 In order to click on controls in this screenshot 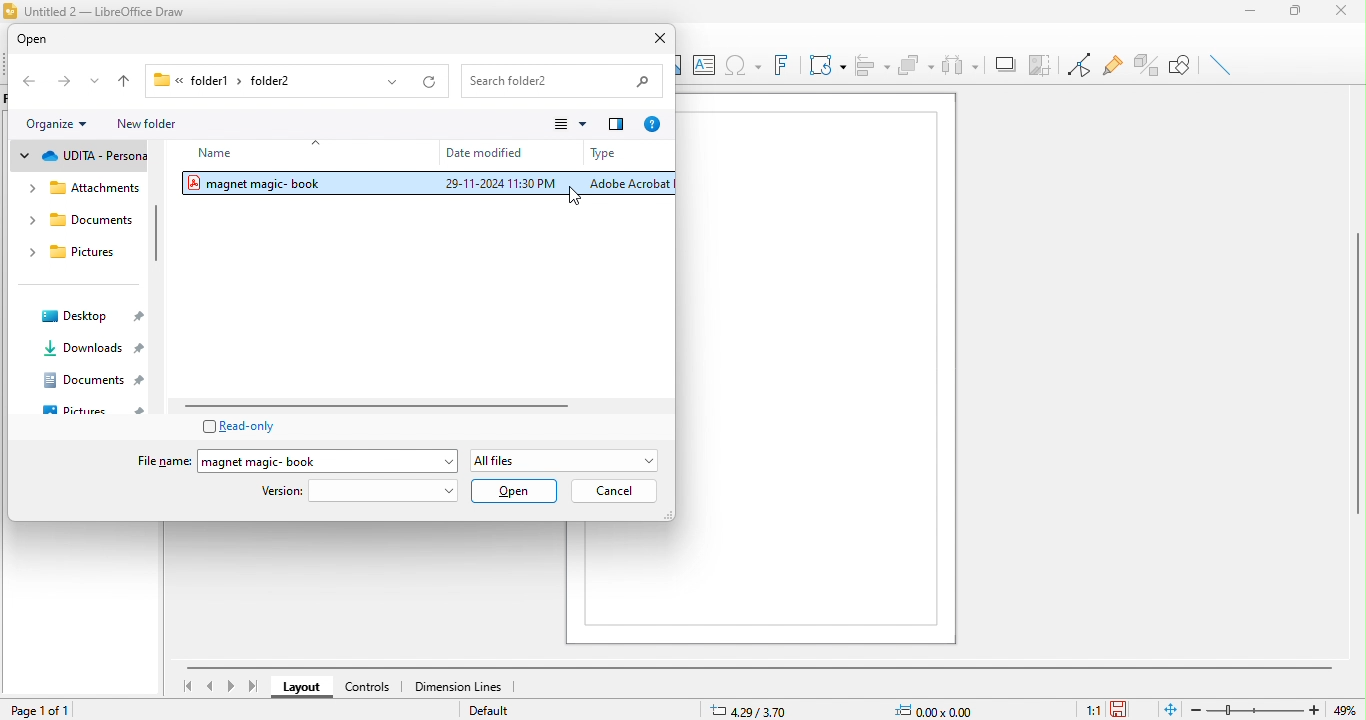, I will do `click(368, 689)`.